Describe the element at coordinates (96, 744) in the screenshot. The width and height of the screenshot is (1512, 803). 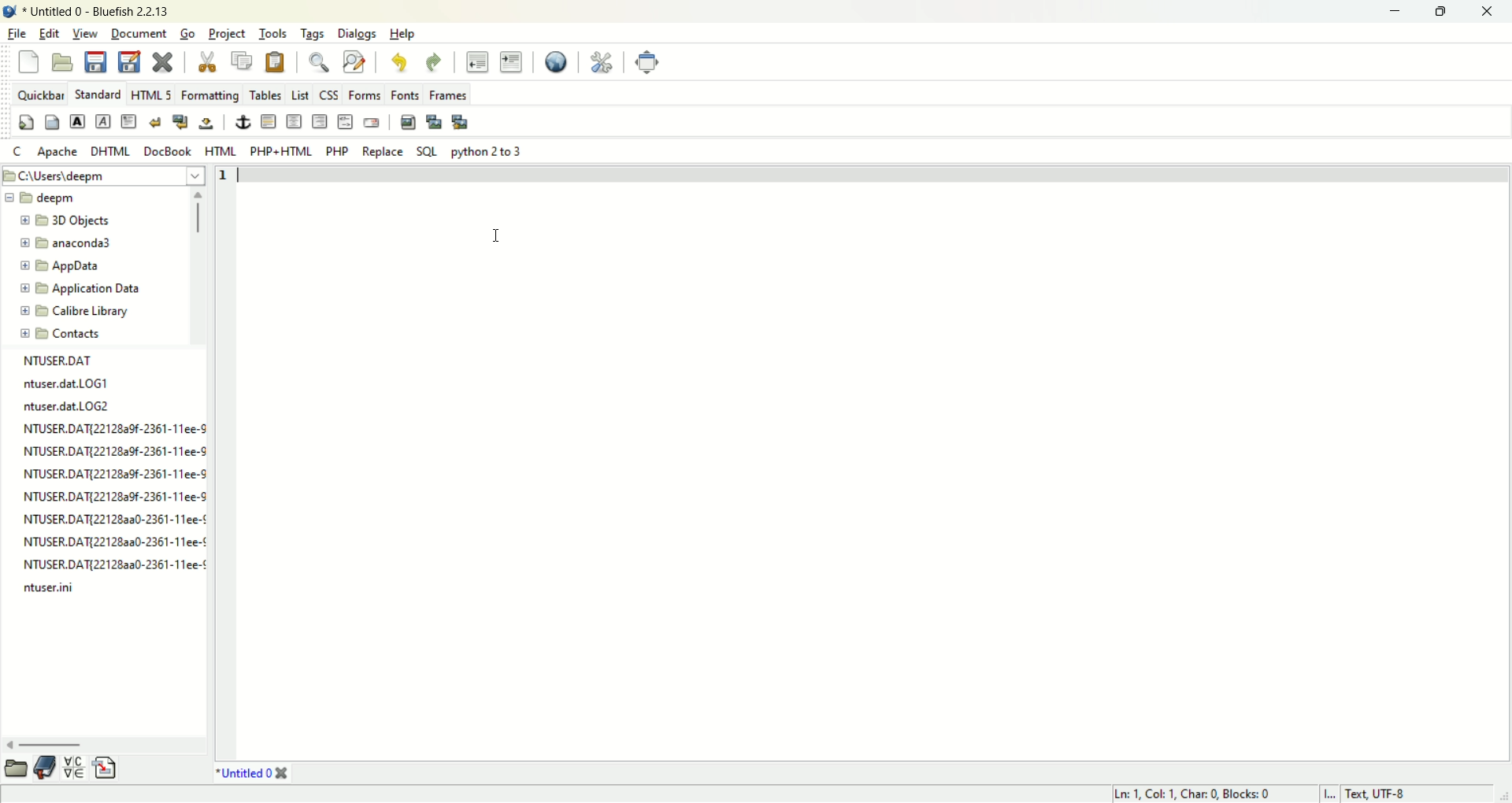
I see `horizontal scroll bar` at that location.